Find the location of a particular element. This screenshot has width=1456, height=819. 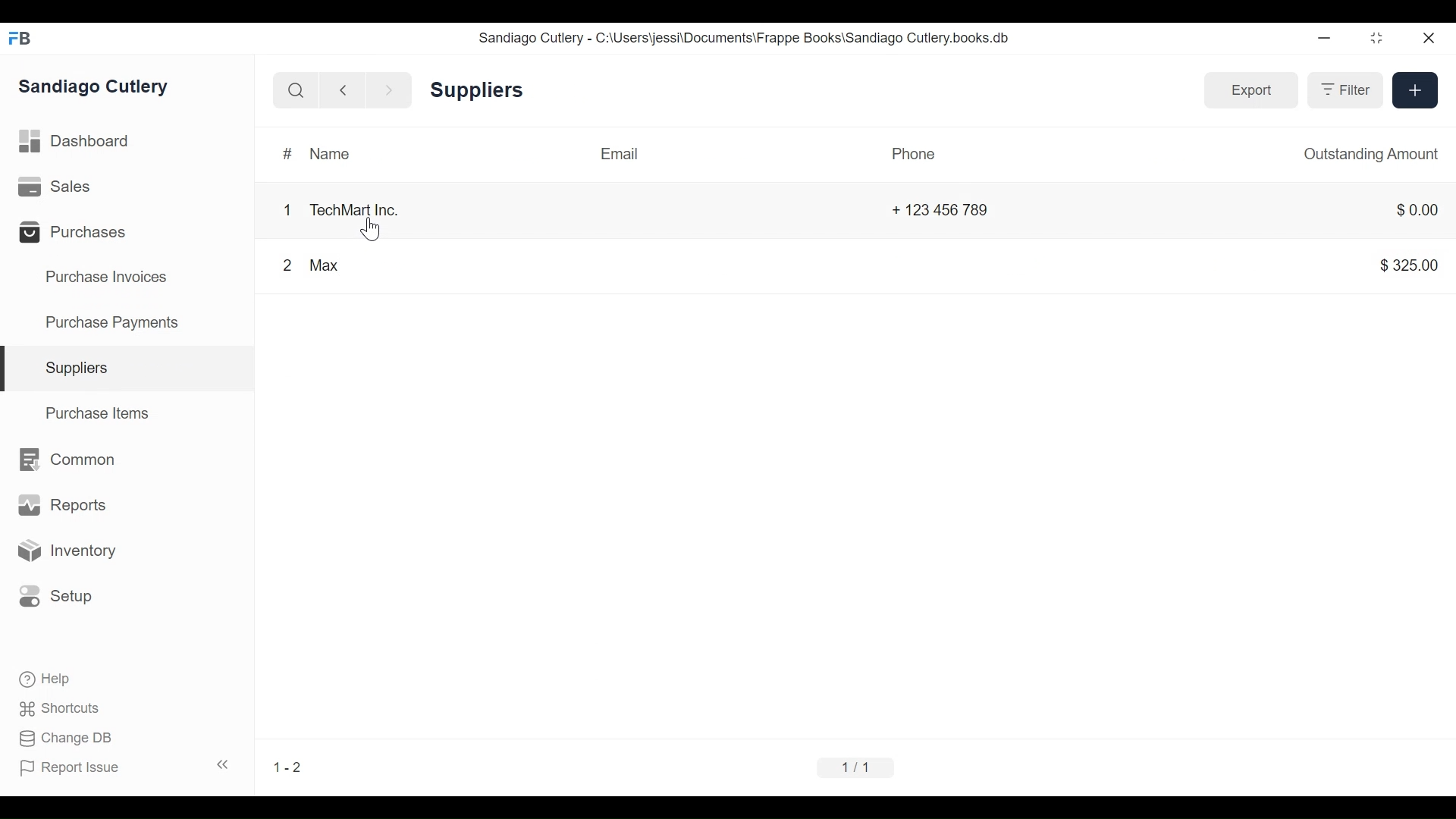

1/1 is located at coordinates (852, 766).